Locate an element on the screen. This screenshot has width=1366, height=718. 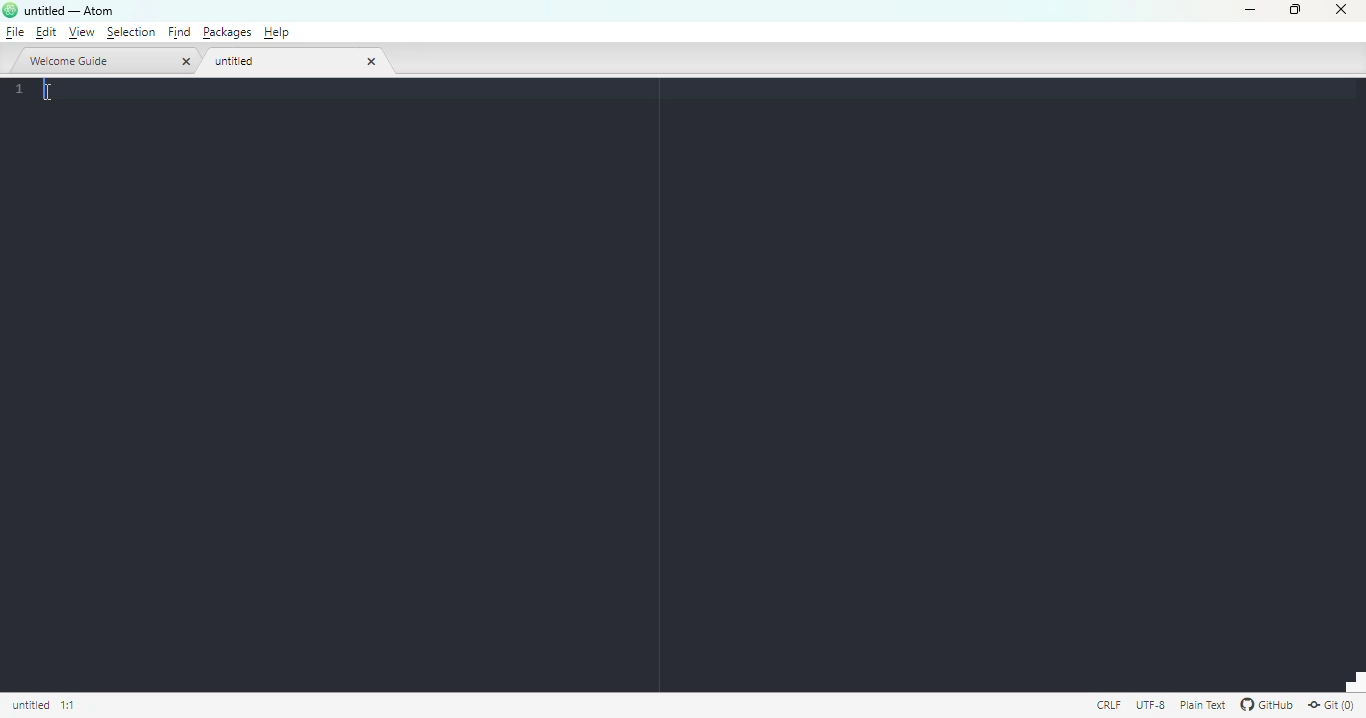
file uses CRLF line endings is located at coordinates (1105, 705).